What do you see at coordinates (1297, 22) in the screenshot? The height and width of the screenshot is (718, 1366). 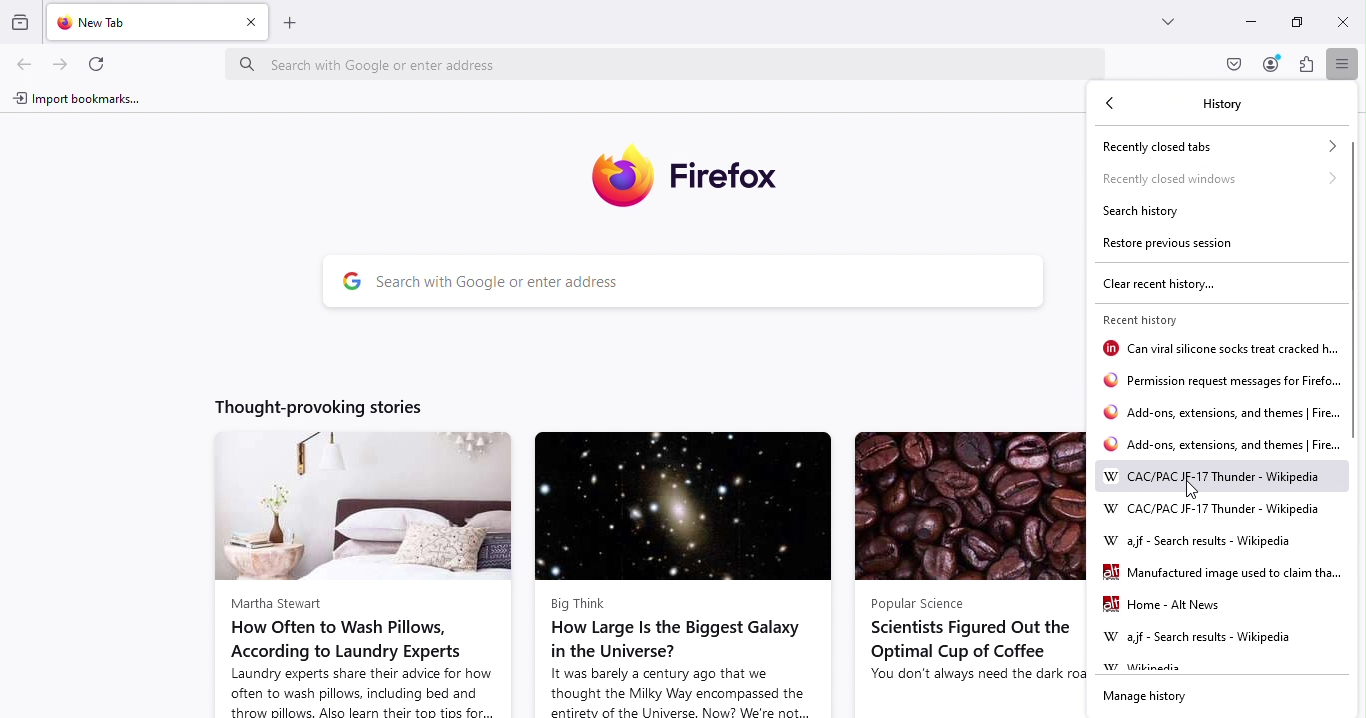 I see `Maximize` at bounding box center [1297, 22].